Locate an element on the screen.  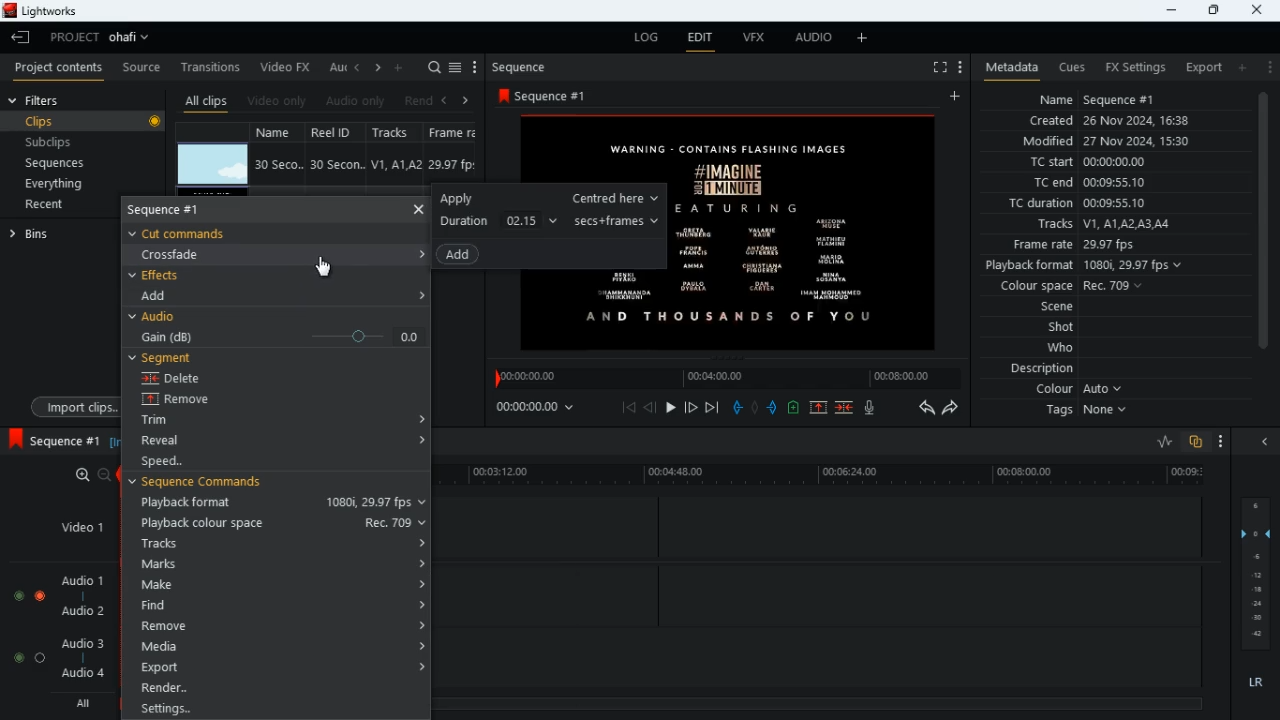
Settings is located at coordinates (278, 707).